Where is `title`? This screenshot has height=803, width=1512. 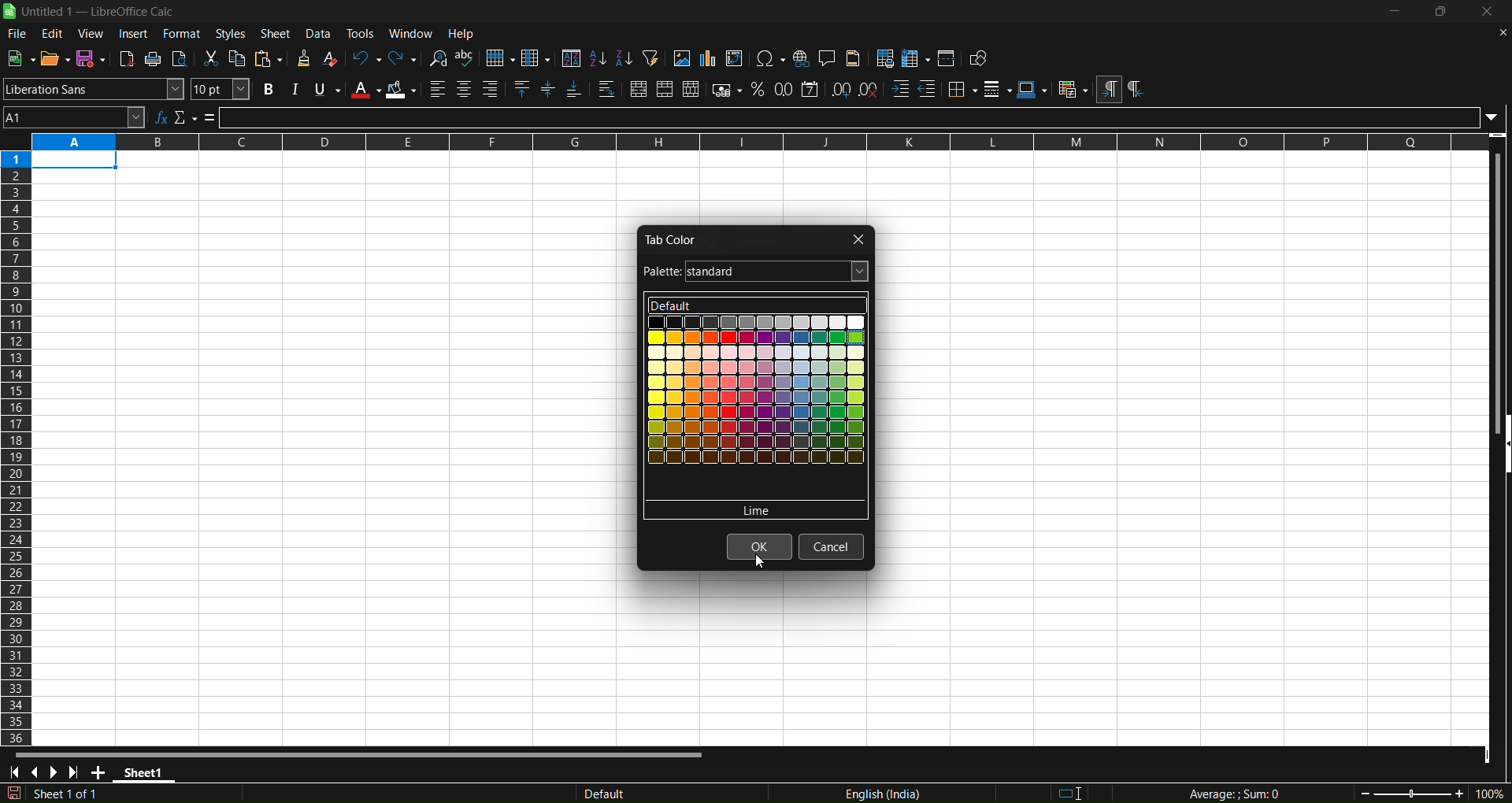
title is located at coordinates (98, 12).